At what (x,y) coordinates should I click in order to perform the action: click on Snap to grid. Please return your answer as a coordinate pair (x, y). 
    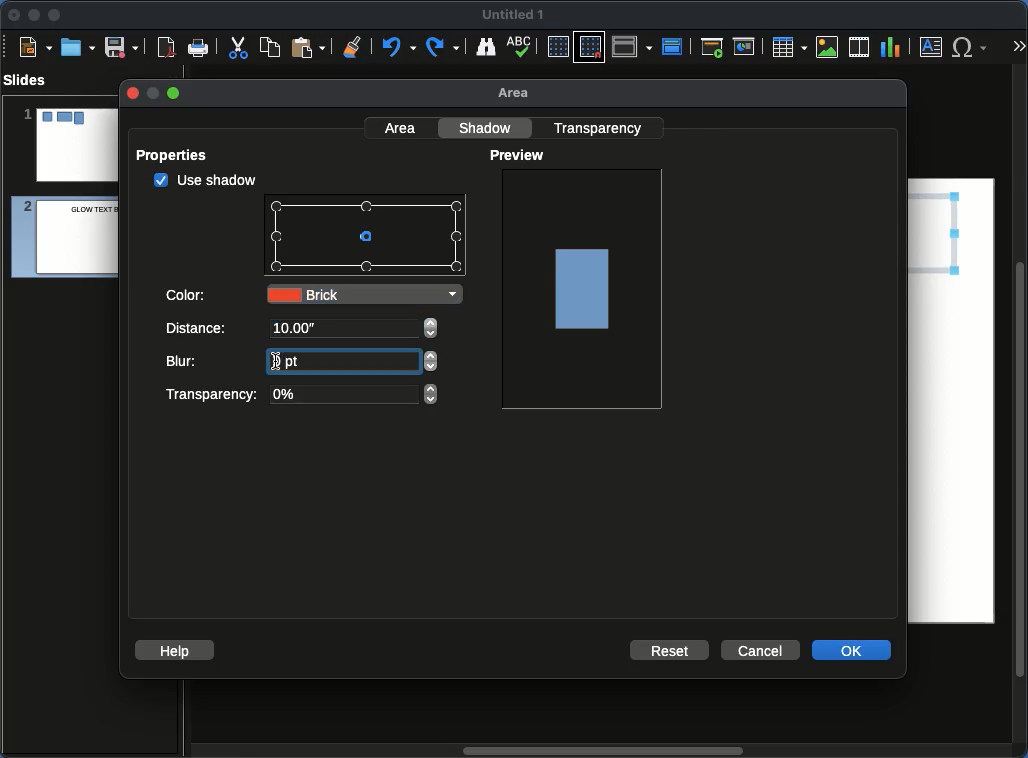
    Looking at the image, I should click on (592, 46).